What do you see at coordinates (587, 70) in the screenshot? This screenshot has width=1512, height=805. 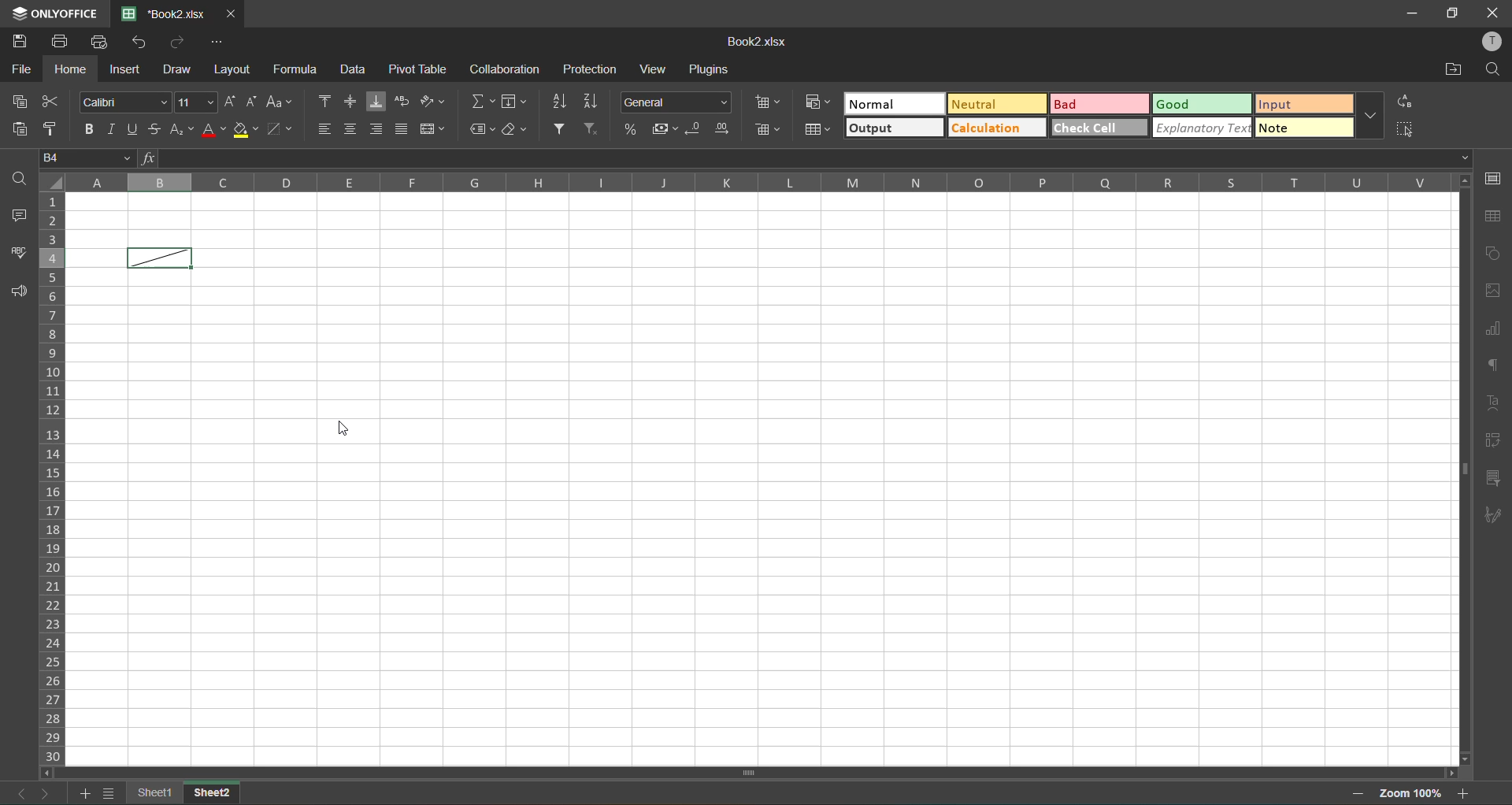 I see `protection` at bounding box center [587, 70].